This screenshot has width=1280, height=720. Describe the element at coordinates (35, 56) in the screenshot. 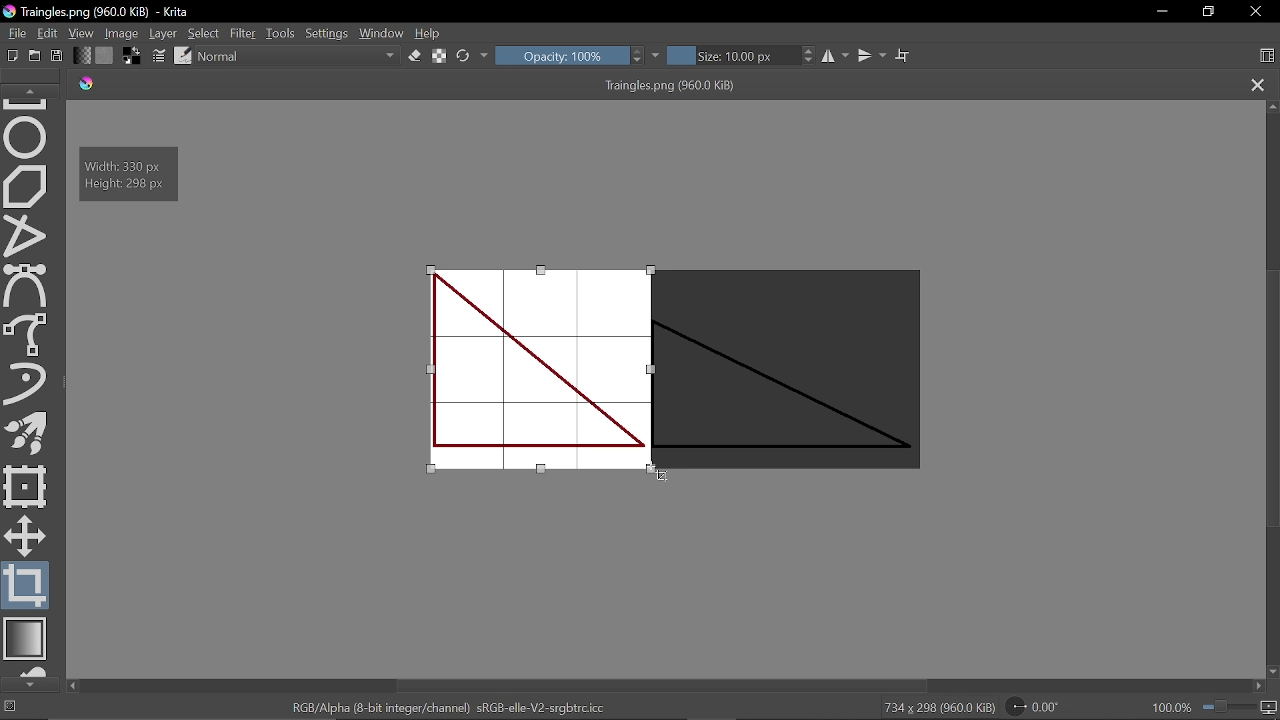

I see `Open new document` at that location.